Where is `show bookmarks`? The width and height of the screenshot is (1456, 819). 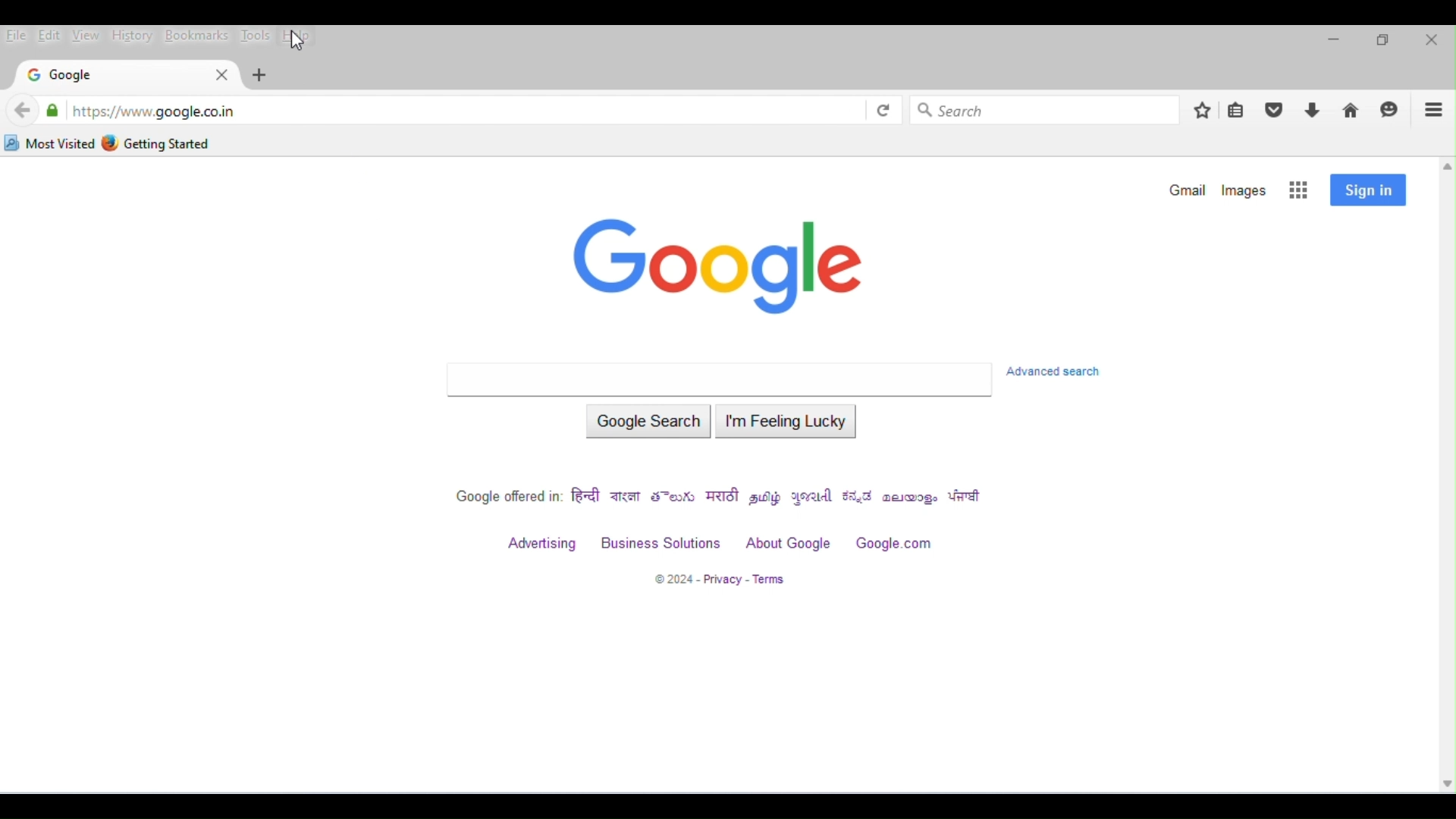 show bookmarks is located at coordinates (1238, 111).